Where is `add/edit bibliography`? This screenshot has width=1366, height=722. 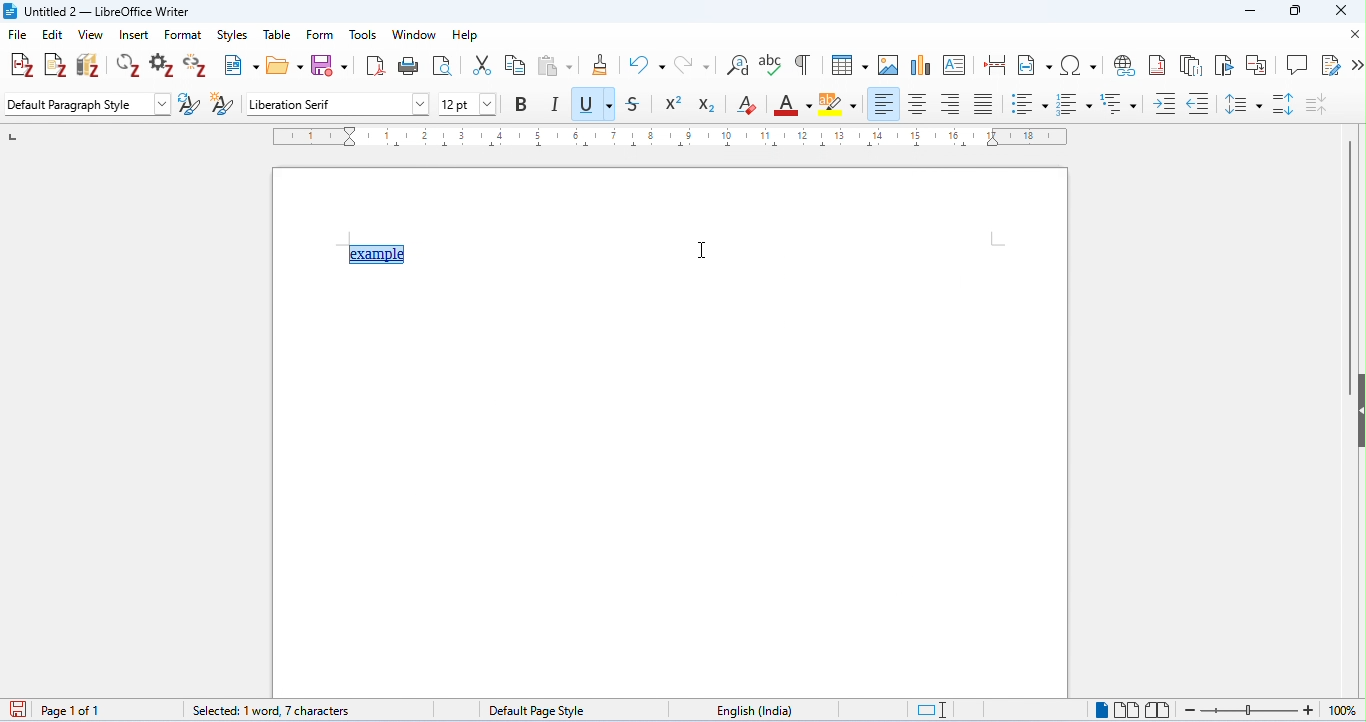 add/edit bibliography is located at coordinates (88, 65).